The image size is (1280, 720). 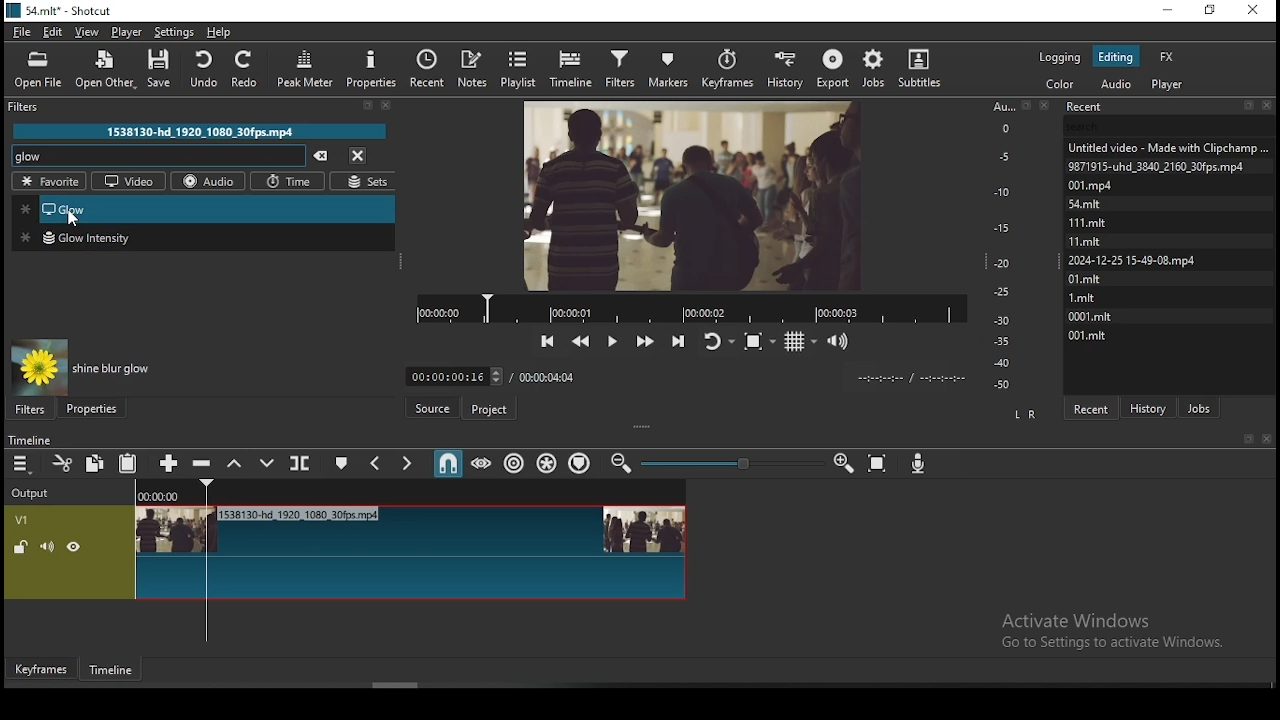 What do you see at coordinates (471, 68) in the screenshot?
I see `notes` at bounding box center [471, 68].